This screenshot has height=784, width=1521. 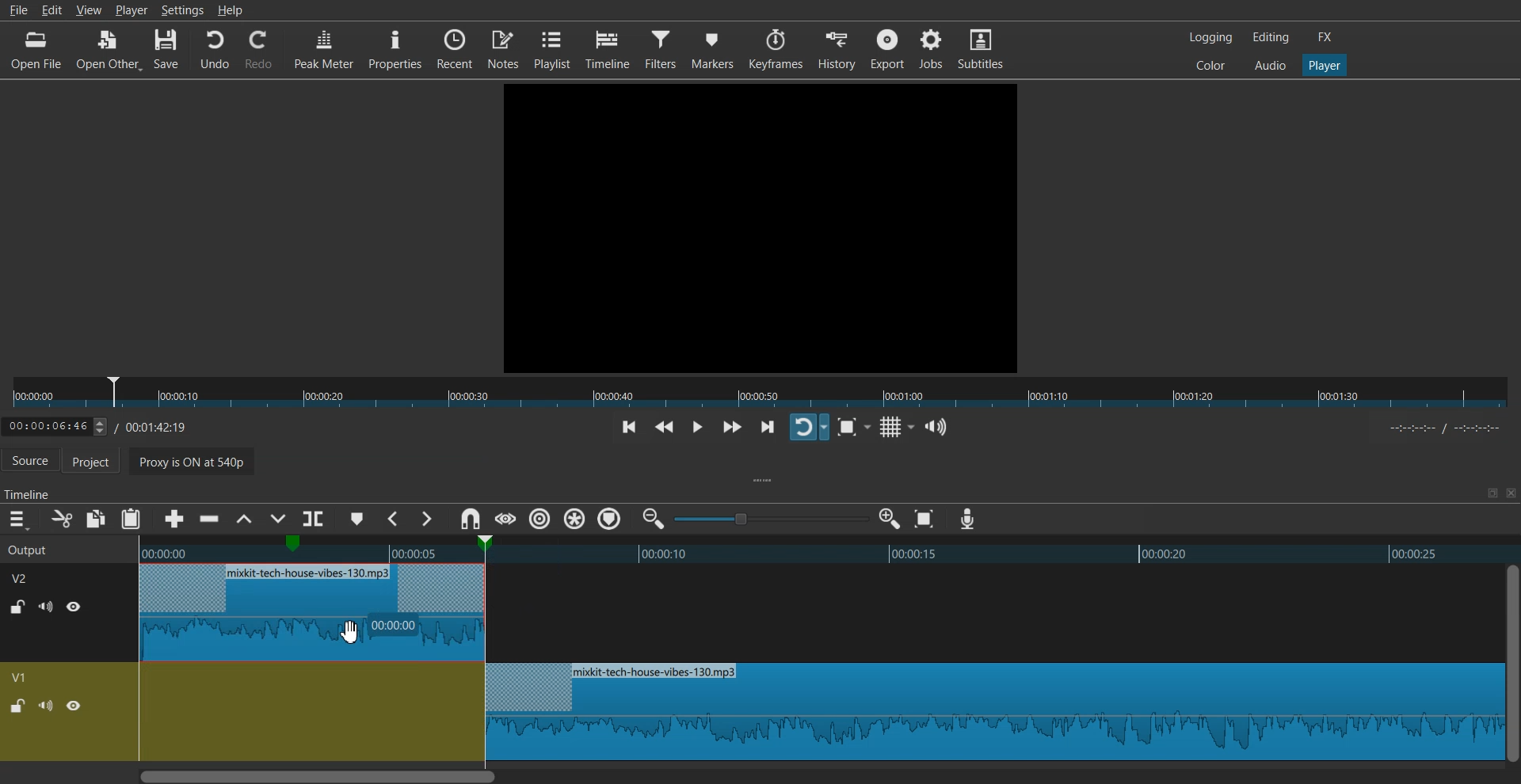 What do you see at coordinates (663, 48) in the screenshot?
I see `Filters` at bounding box center [663, 48].